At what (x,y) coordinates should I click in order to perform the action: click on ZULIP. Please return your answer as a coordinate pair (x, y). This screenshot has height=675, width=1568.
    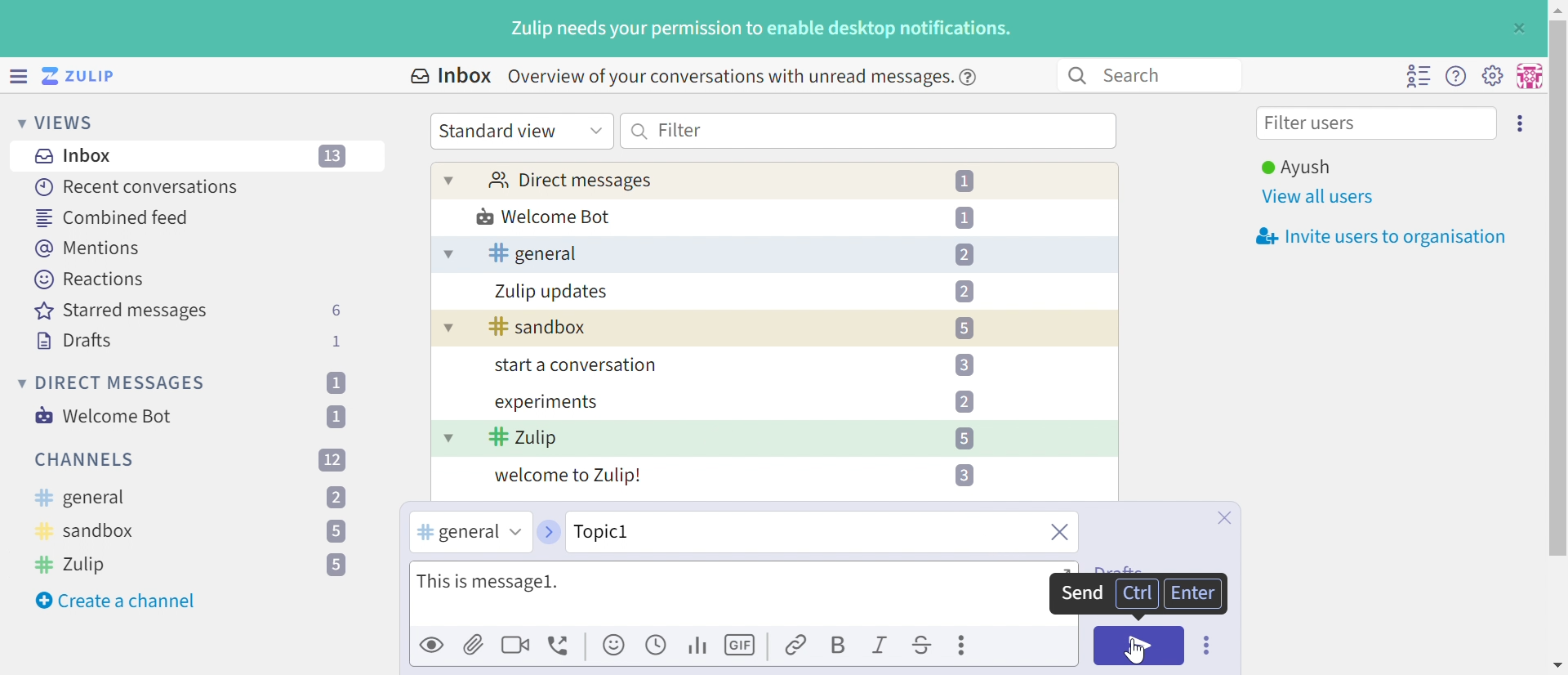
    Looking at the image, I should click on (89, 77).